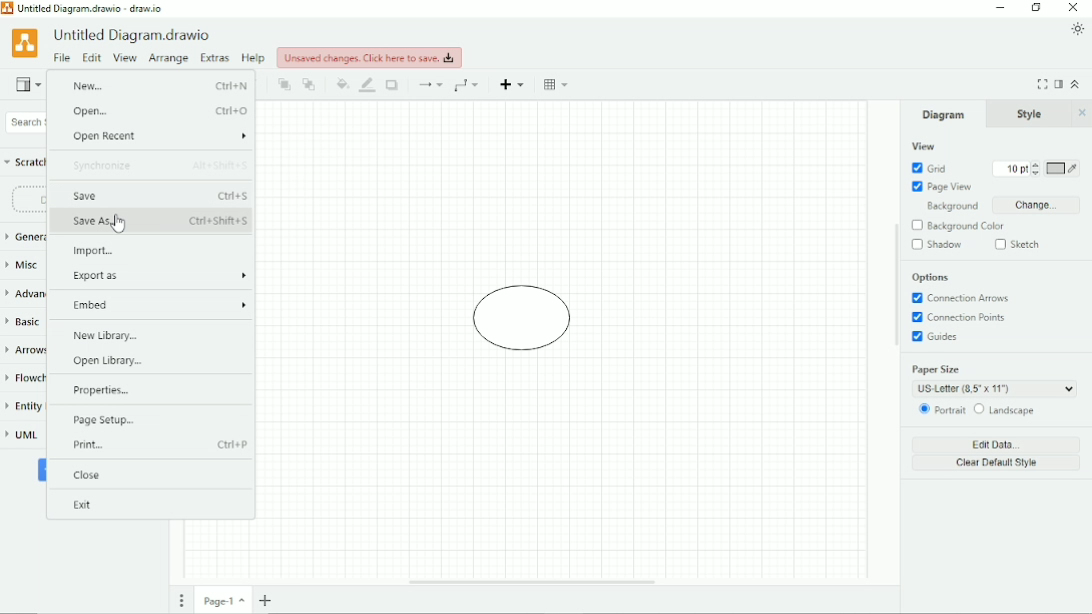  I want to click on Logo, so click(25, 44).